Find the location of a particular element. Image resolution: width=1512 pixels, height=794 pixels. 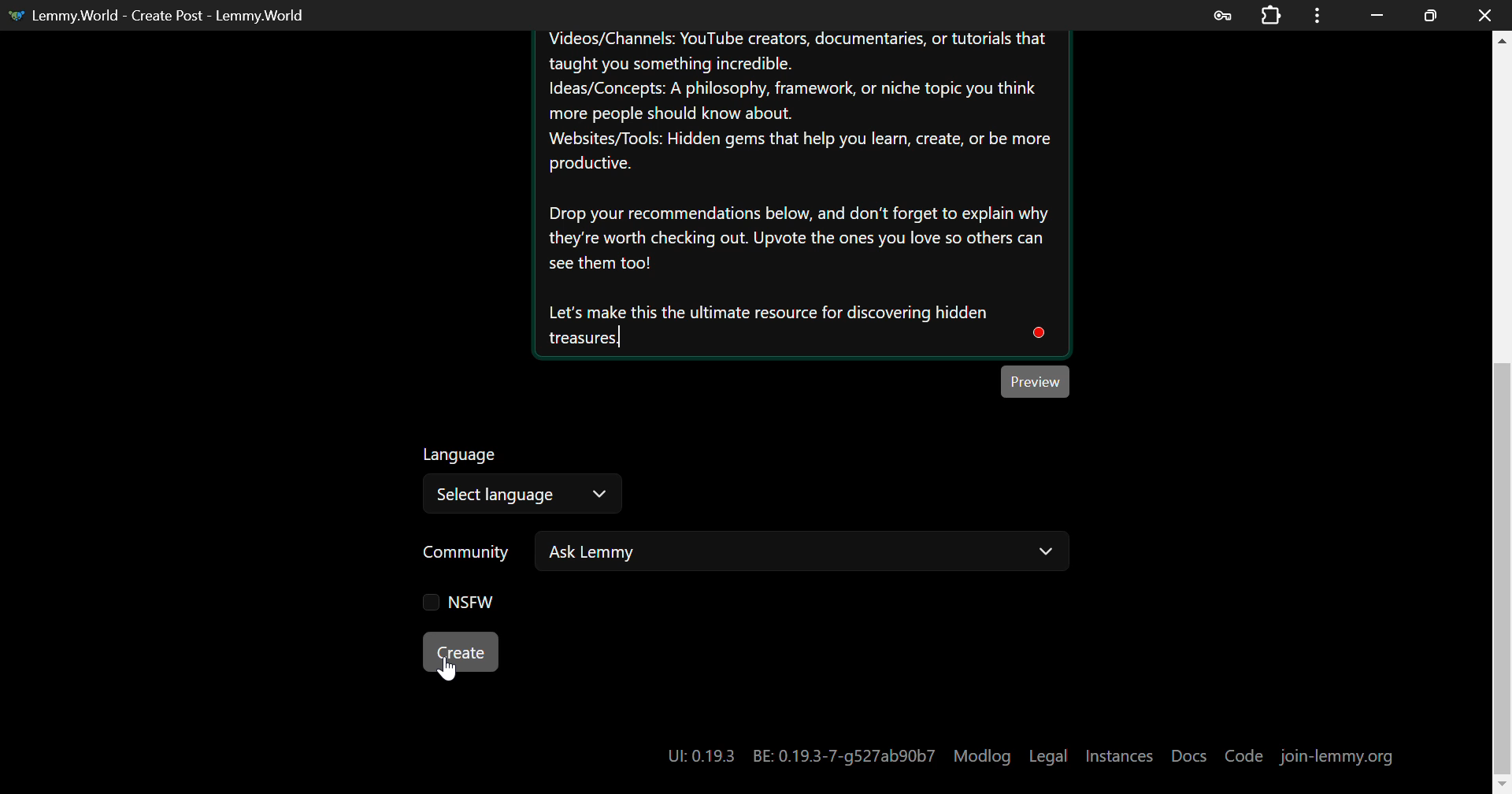

Extensions is located at coordinates (1271, 13).